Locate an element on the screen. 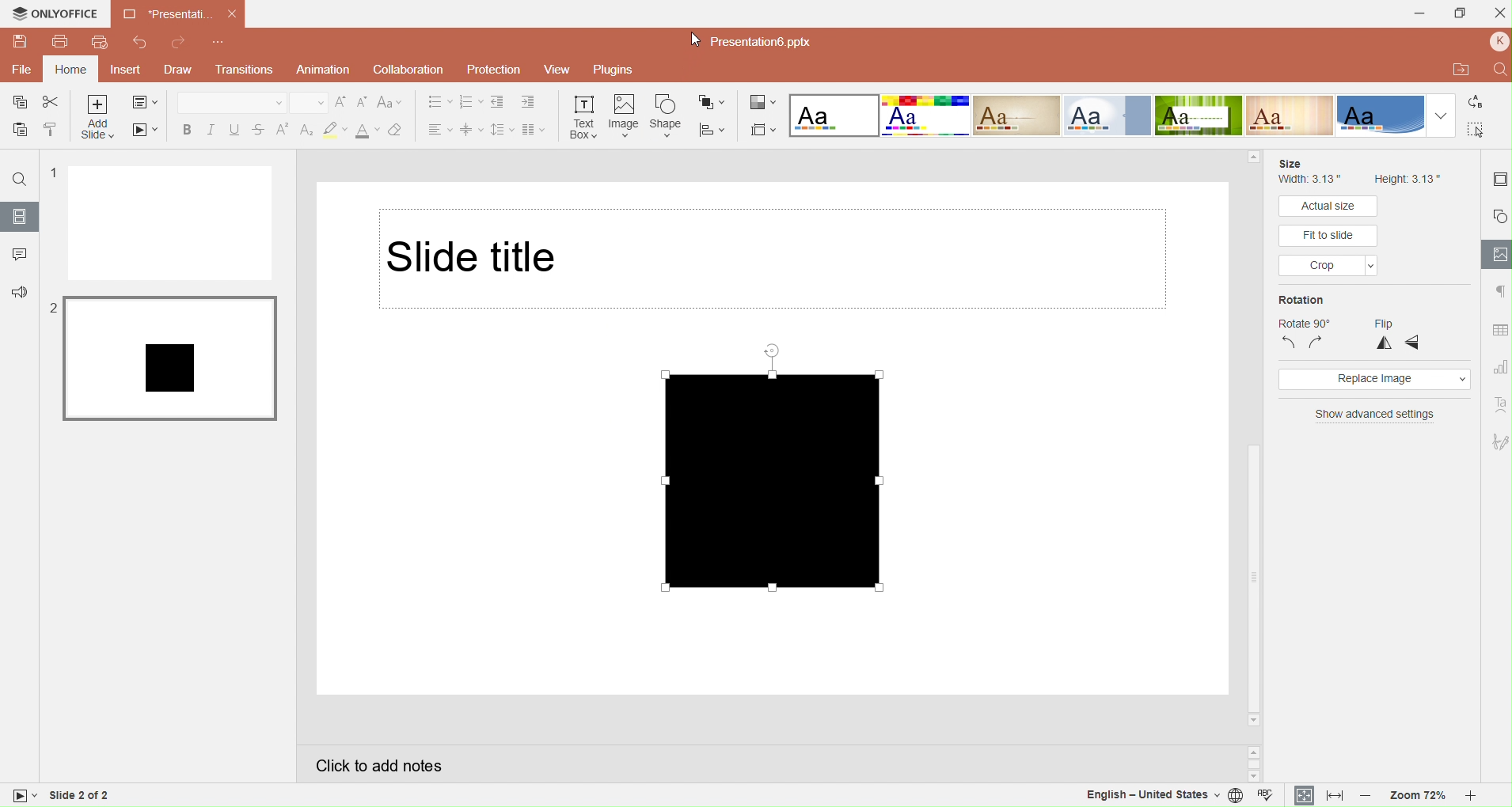  Zoom out is located at coordinates (1366, 796).